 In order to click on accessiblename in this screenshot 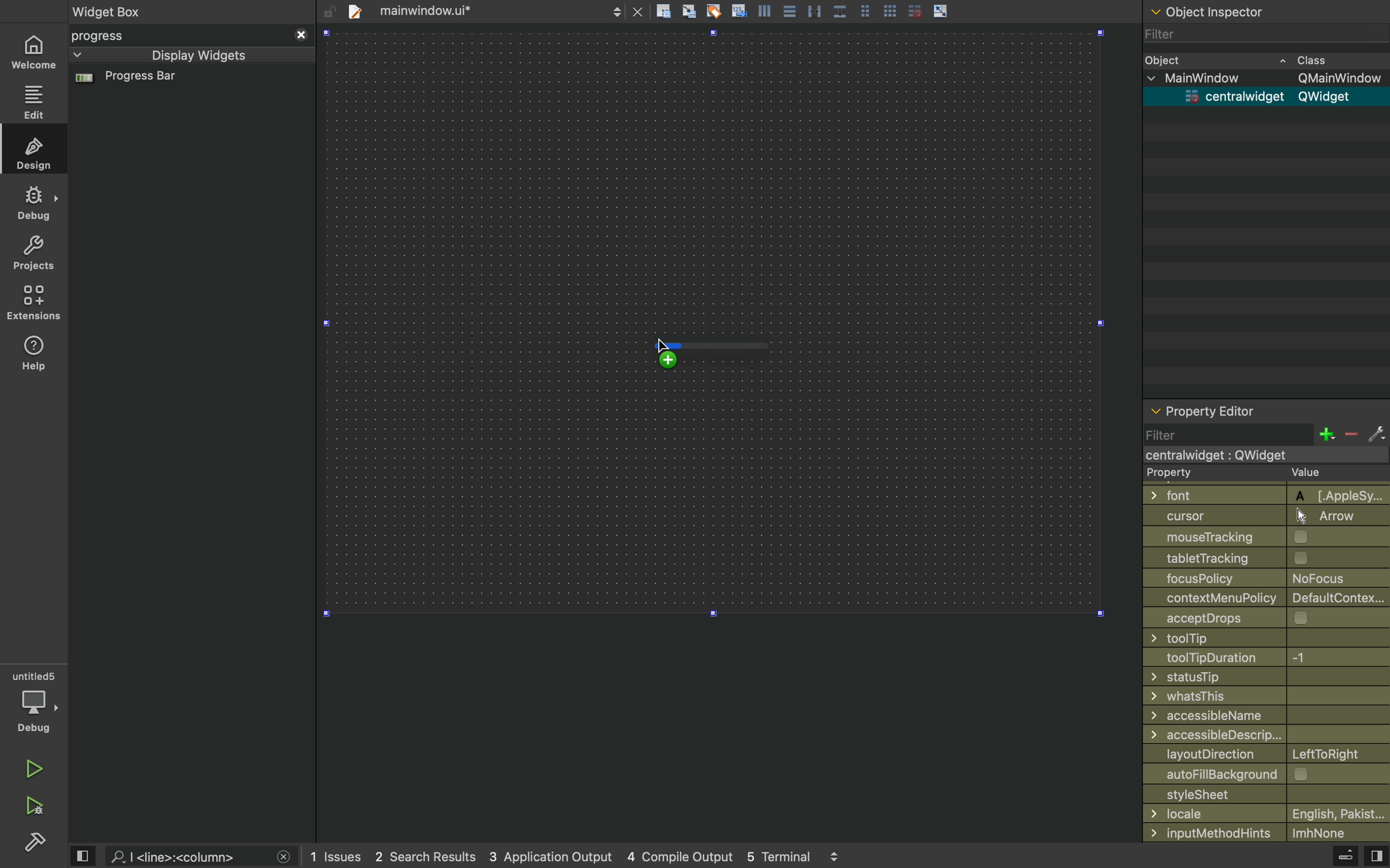, I will do `click(1262, 715)`.